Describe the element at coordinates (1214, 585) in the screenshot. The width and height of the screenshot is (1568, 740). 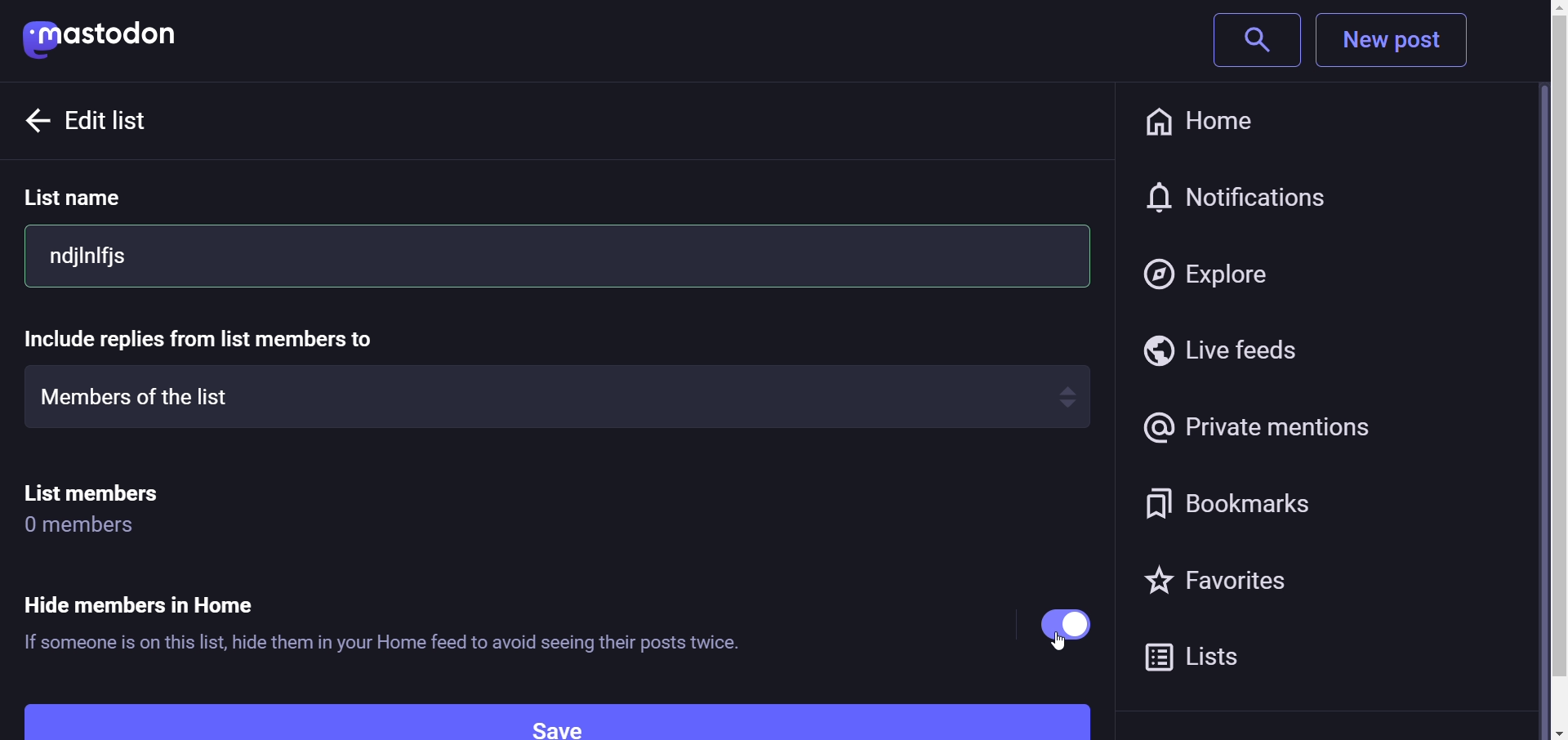
I see `favorites` at that location.